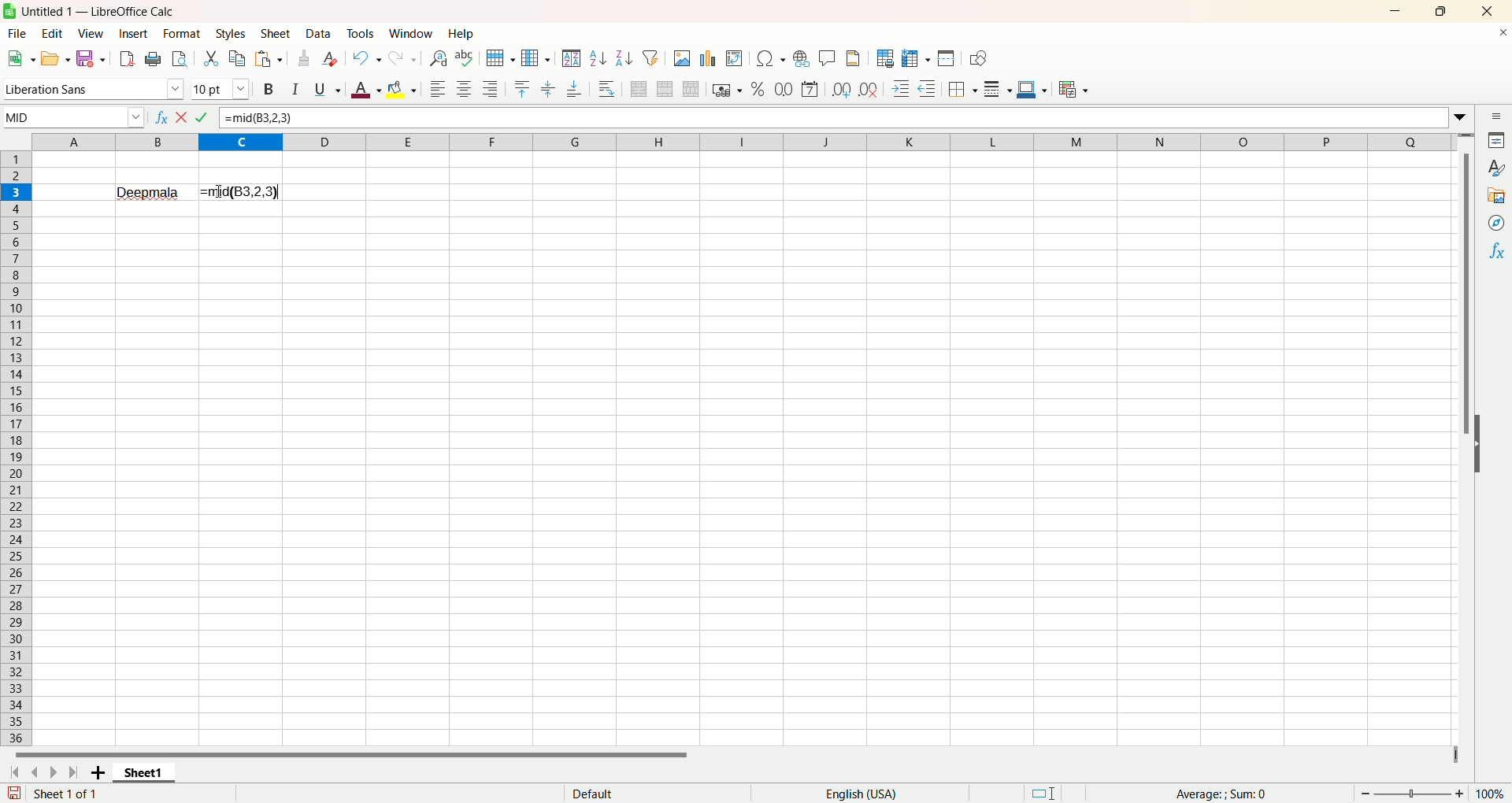 This screenshot has width=1512, height=803. What do you see at coordinates (845, 117) in the screenshot?
I see `=mid(B3,2,3)` at bounding box center [845, 117].